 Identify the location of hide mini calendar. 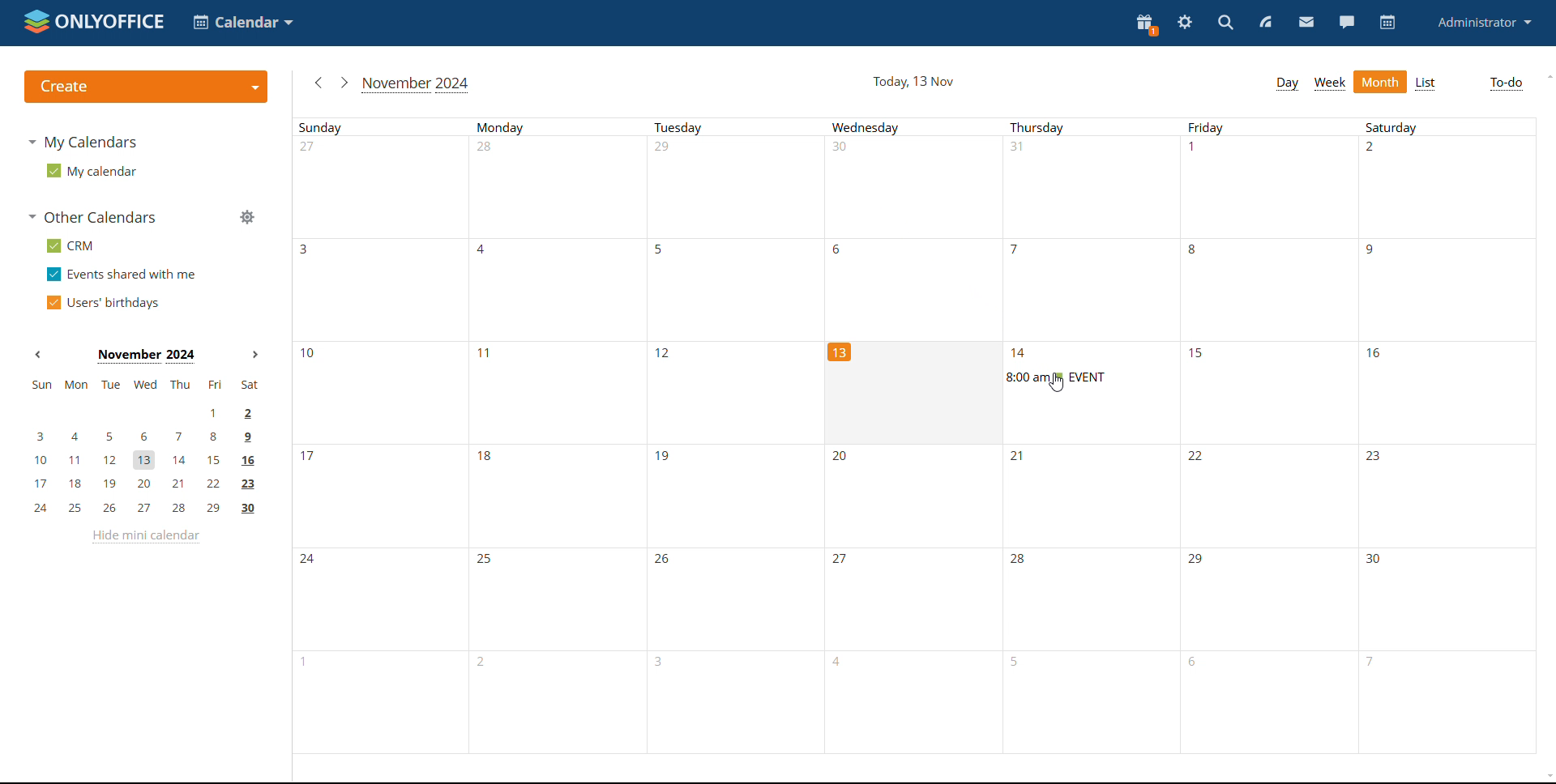
(144, 537).